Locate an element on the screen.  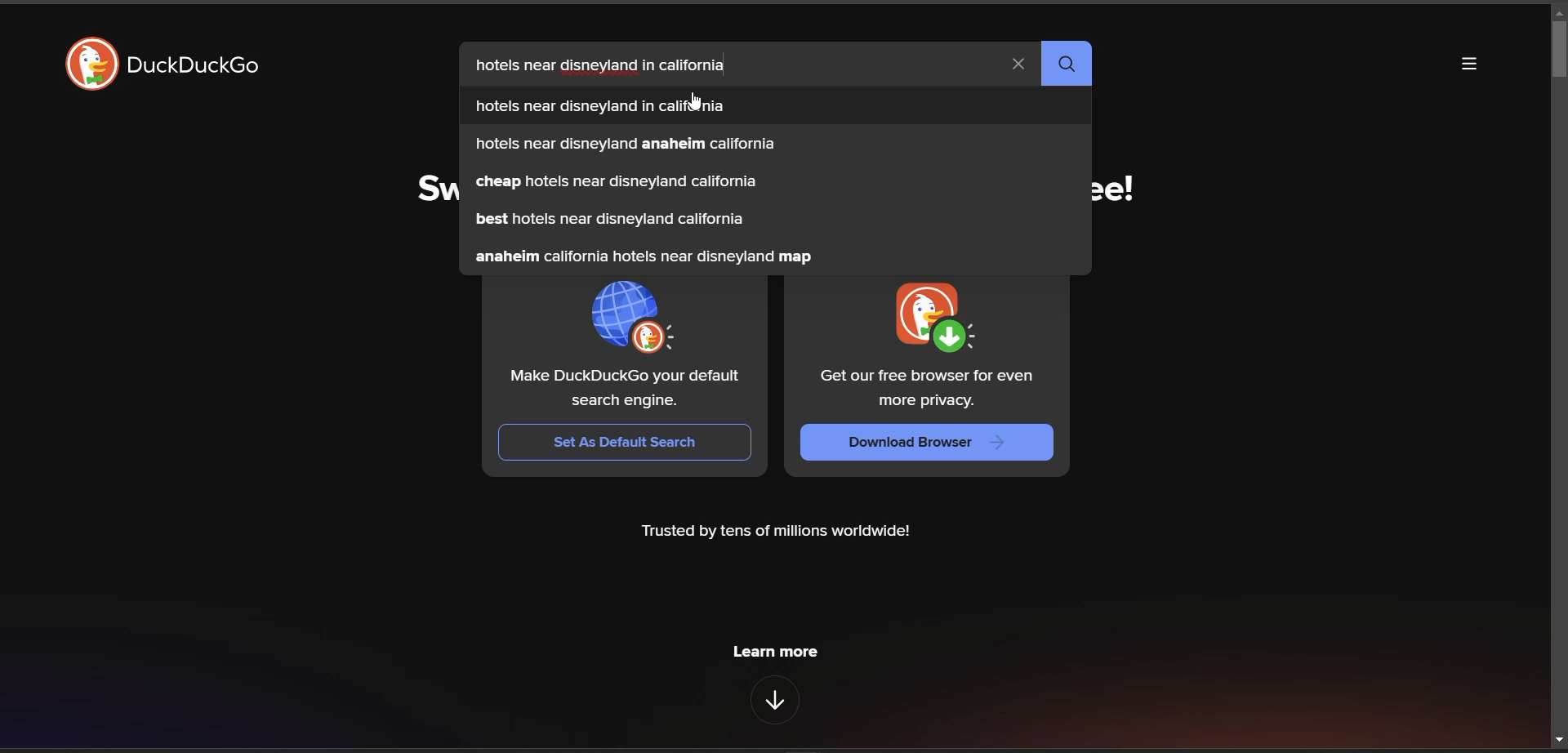
vertical scroll bar is located at coordinates (1558, 50).